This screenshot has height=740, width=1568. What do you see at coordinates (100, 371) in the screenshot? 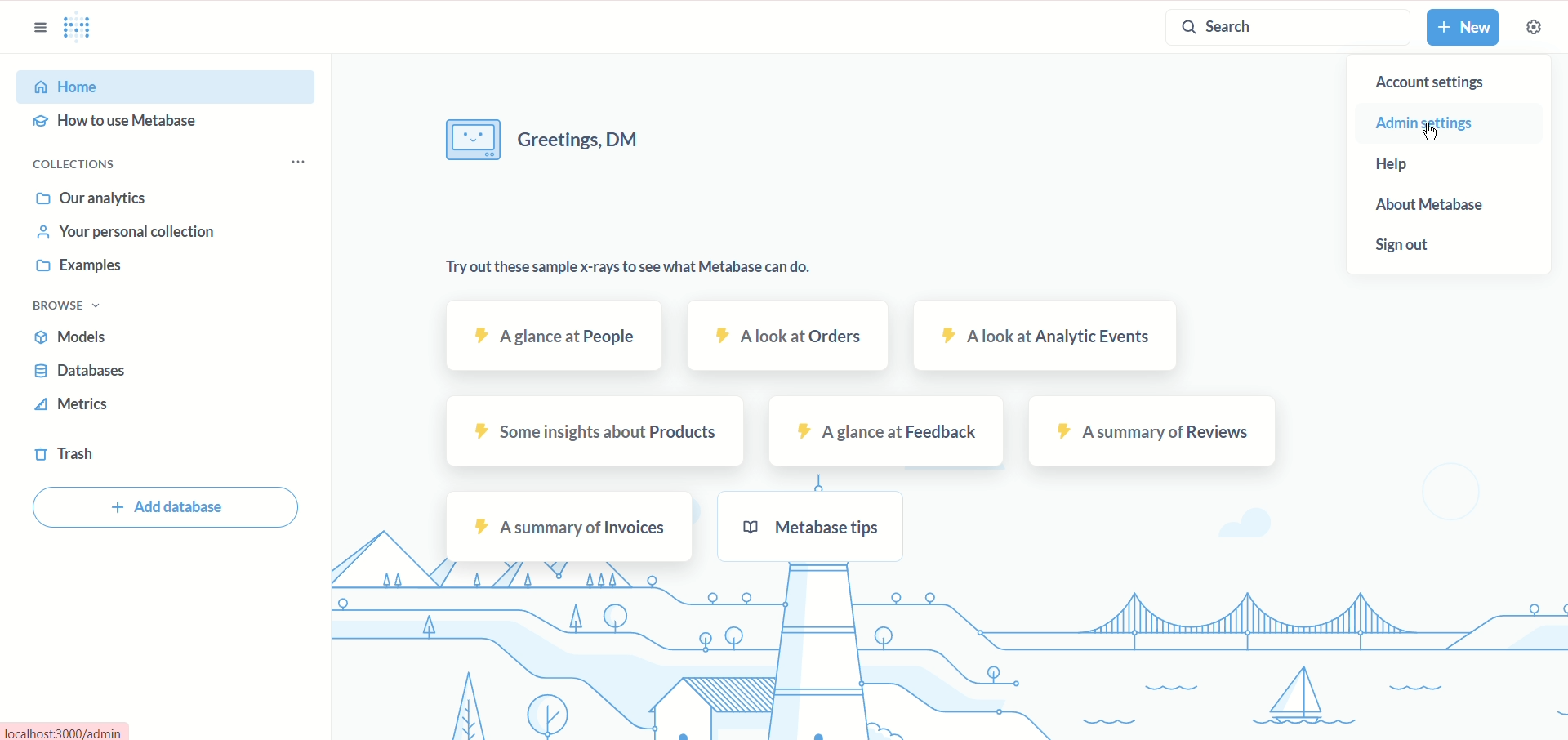
I see `Databases` at bounding box center [100, 371].